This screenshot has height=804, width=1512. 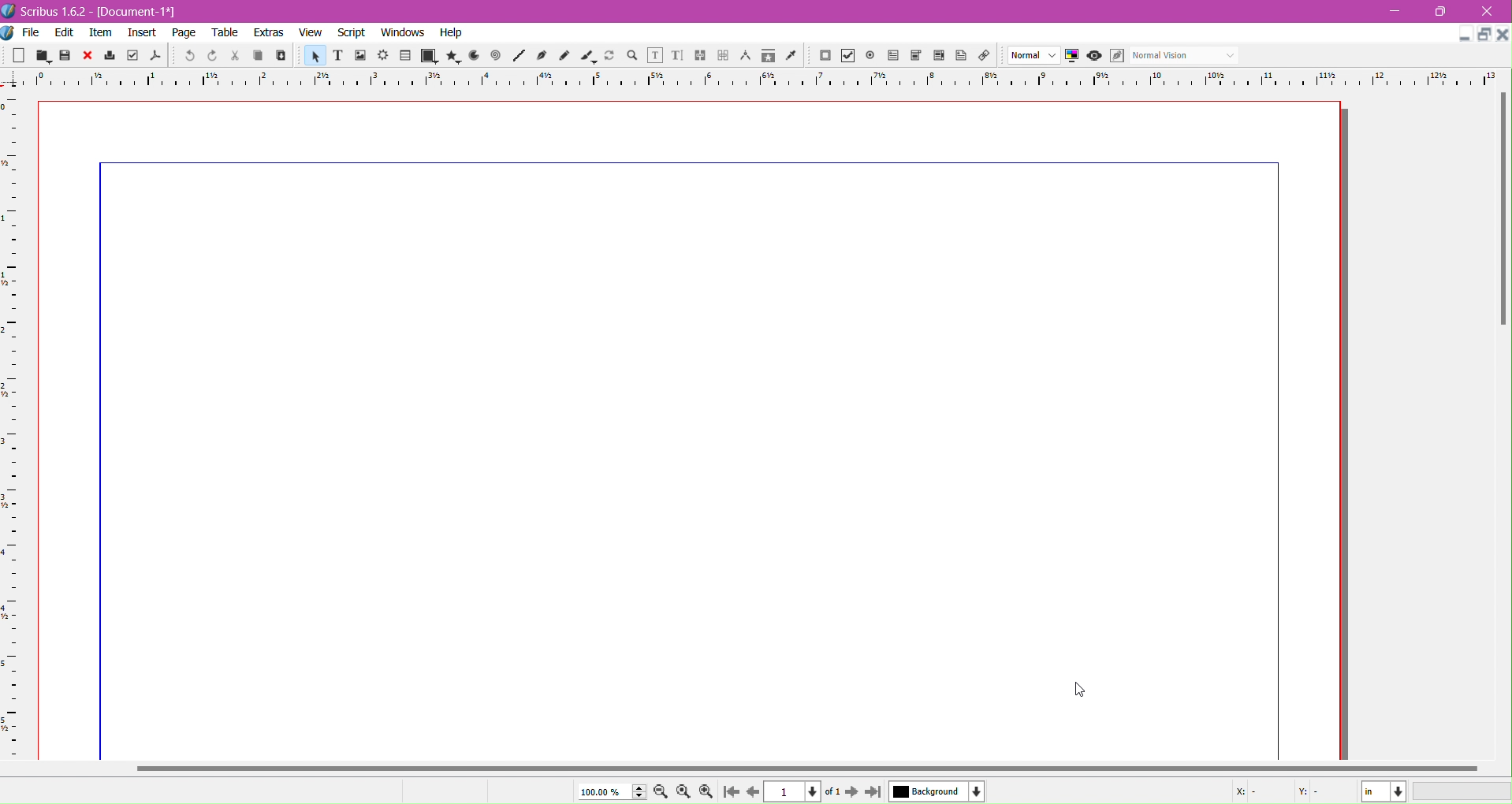 What do you see at coordinates (40, 56) in the screenshot?
I see `open` at bounding box center [40, 56].